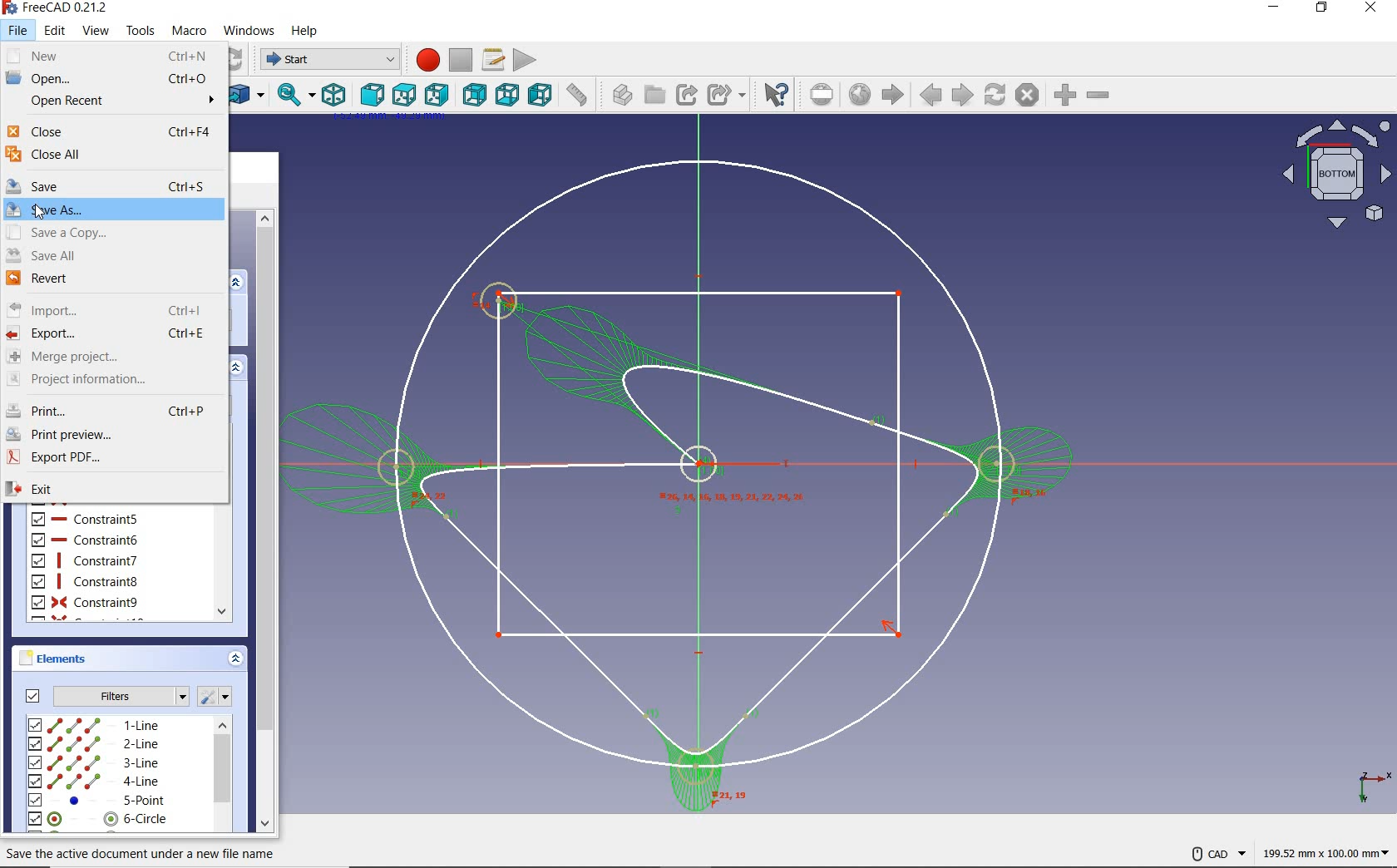 Image resolution: width=1397 pixels, height=868 pixels. Describe the element at coordinates (237, 366) in the screenshot. I see `expand` at that location.